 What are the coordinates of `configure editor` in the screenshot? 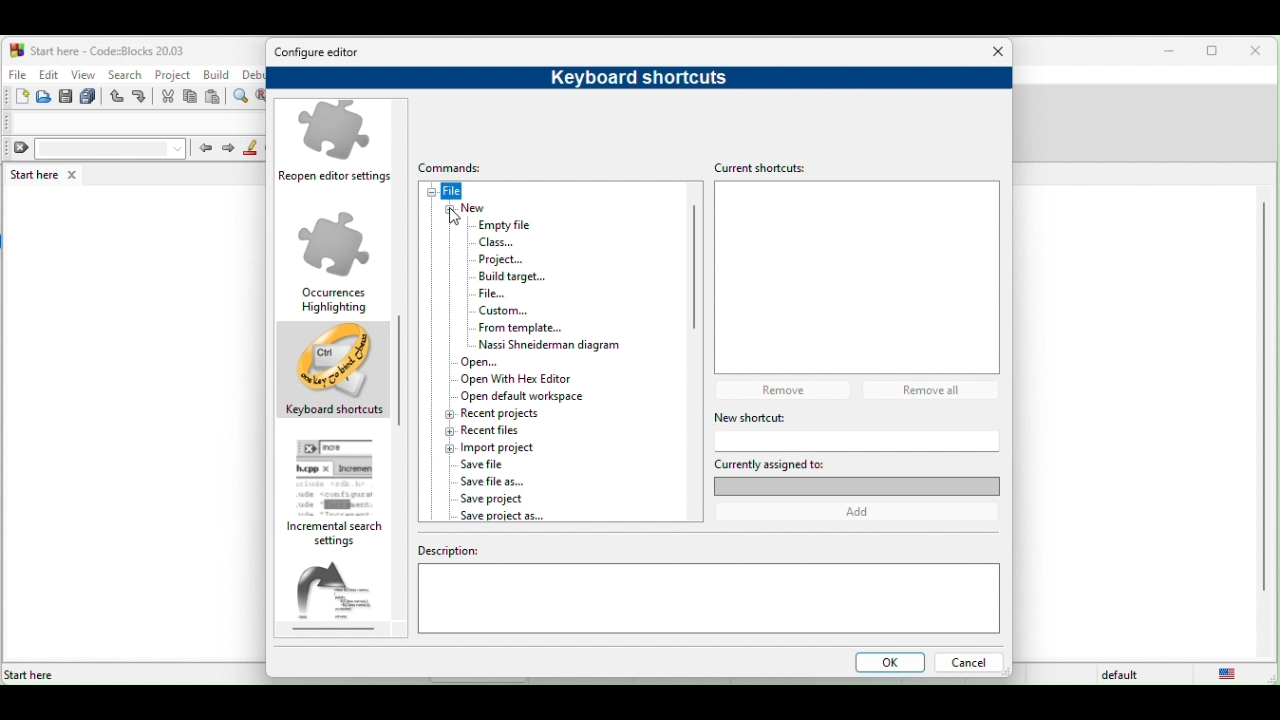 It's located at (323, 53).